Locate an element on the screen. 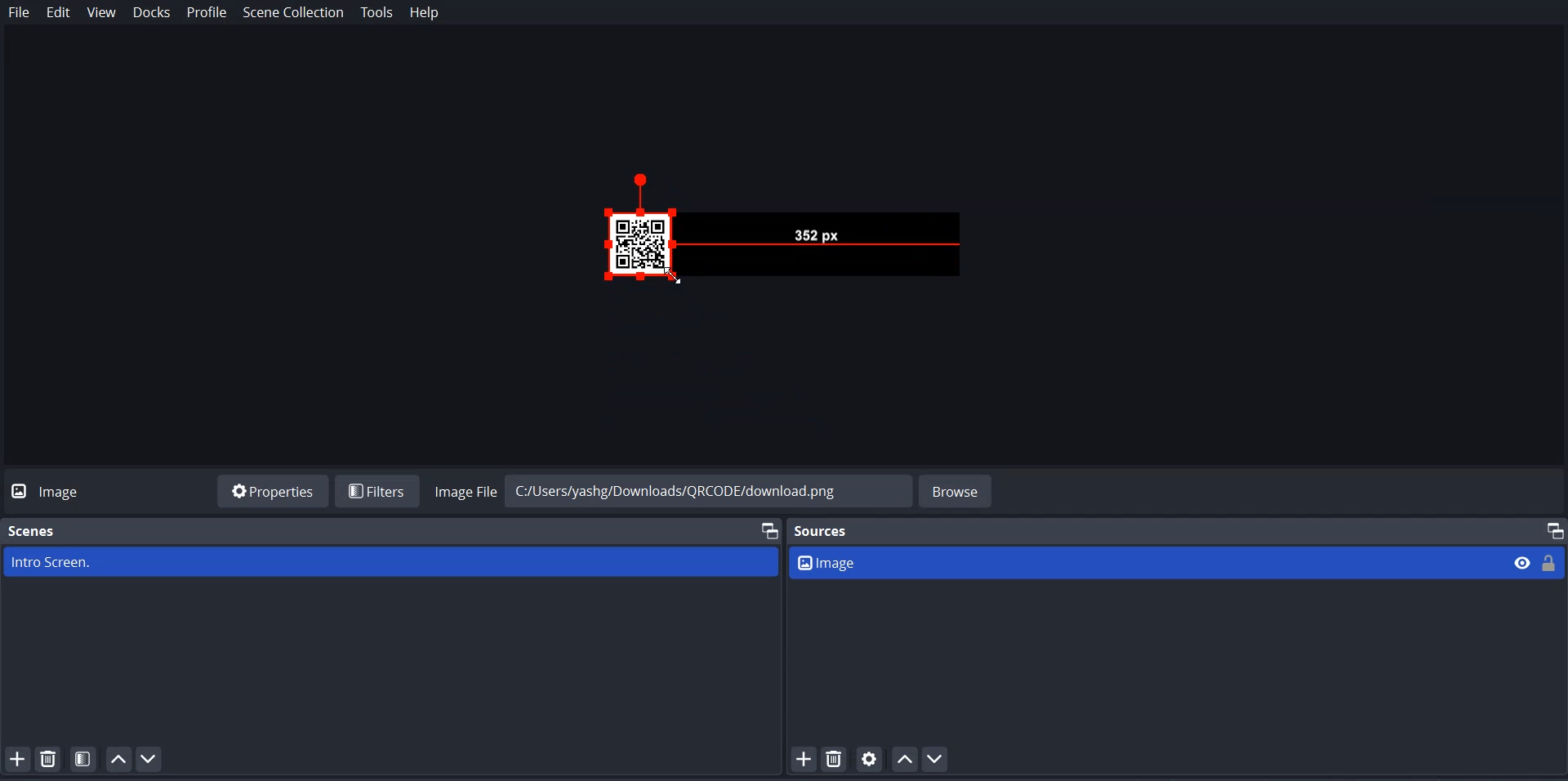 This screenshot has width=1568, height=781. Maximize is located at coordinates (1549, 526).